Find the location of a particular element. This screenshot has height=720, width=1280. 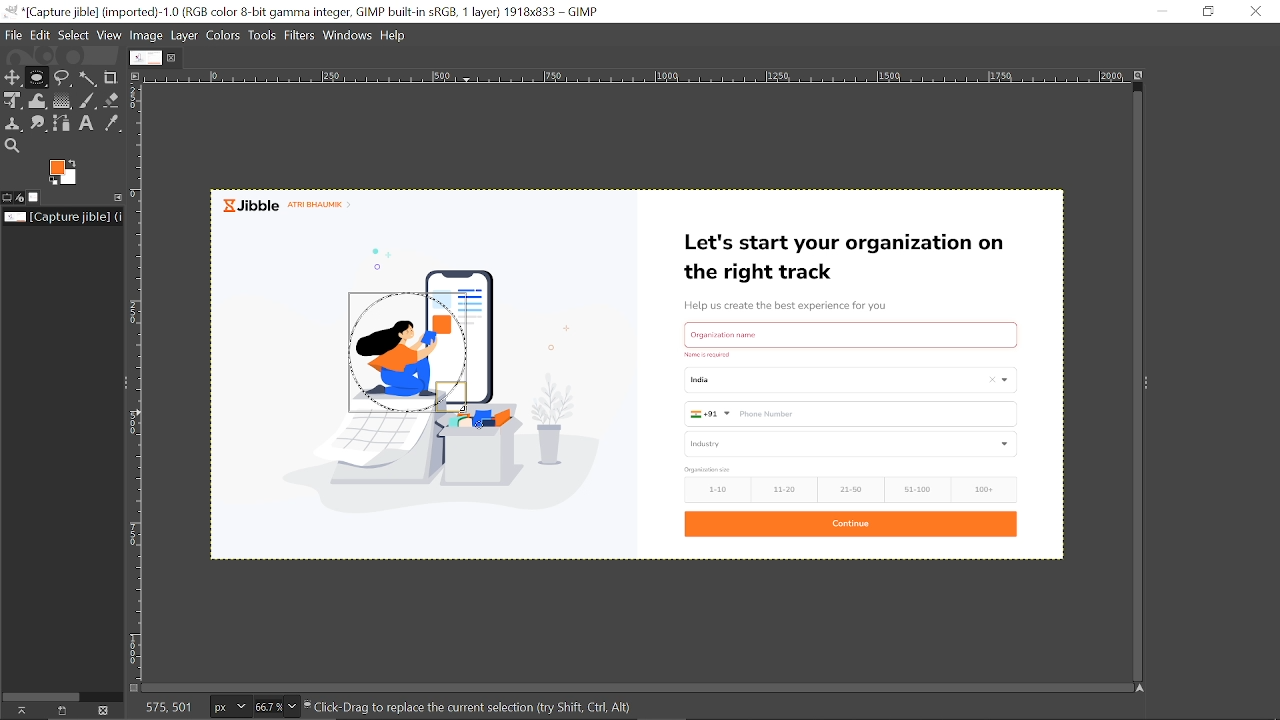

Device status is located at coordinates (21, 197).